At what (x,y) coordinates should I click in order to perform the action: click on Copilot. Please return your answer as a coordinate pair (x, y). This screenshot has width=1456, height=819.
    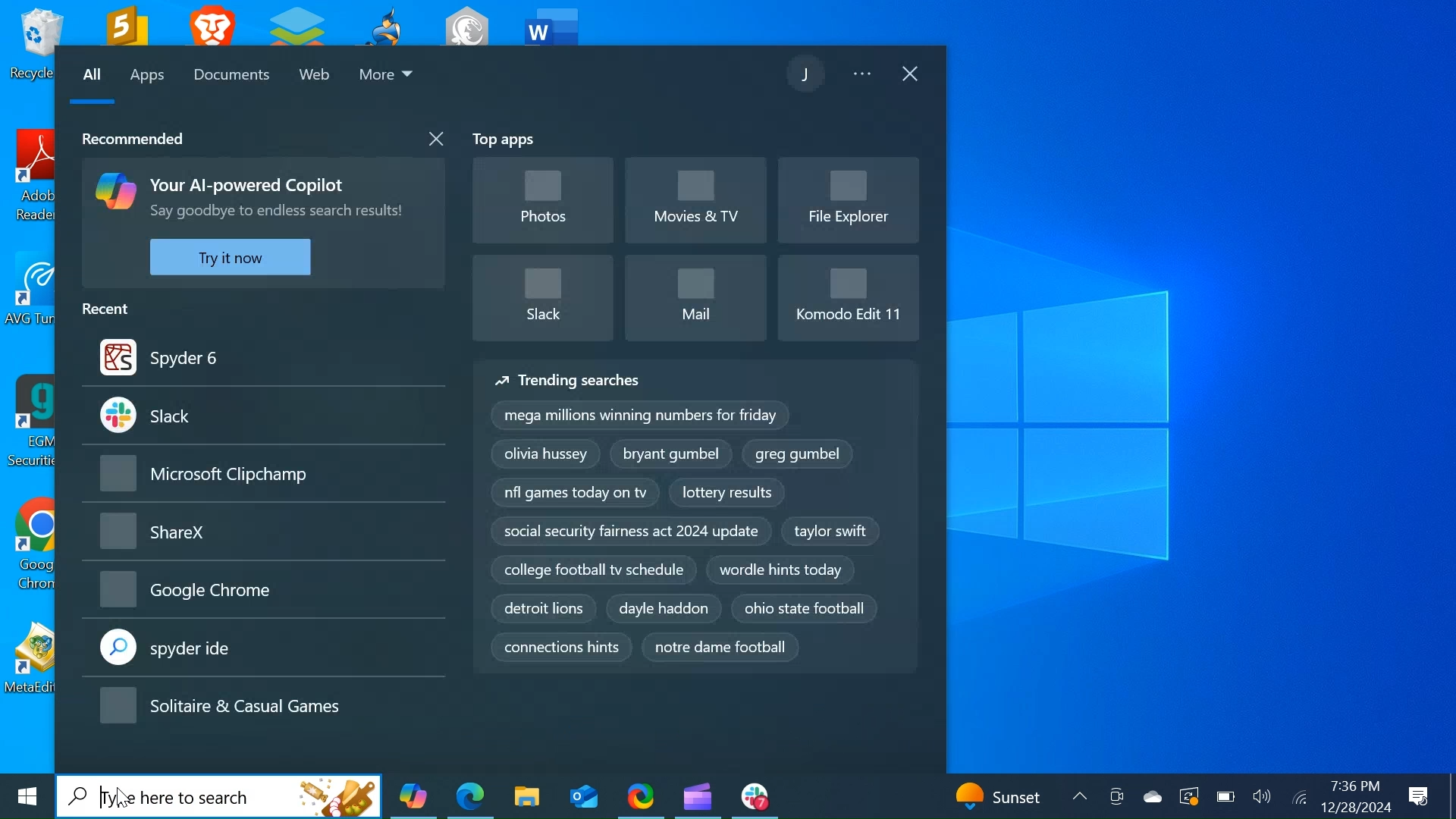
    Looking at the image, I should click on (412, 796).